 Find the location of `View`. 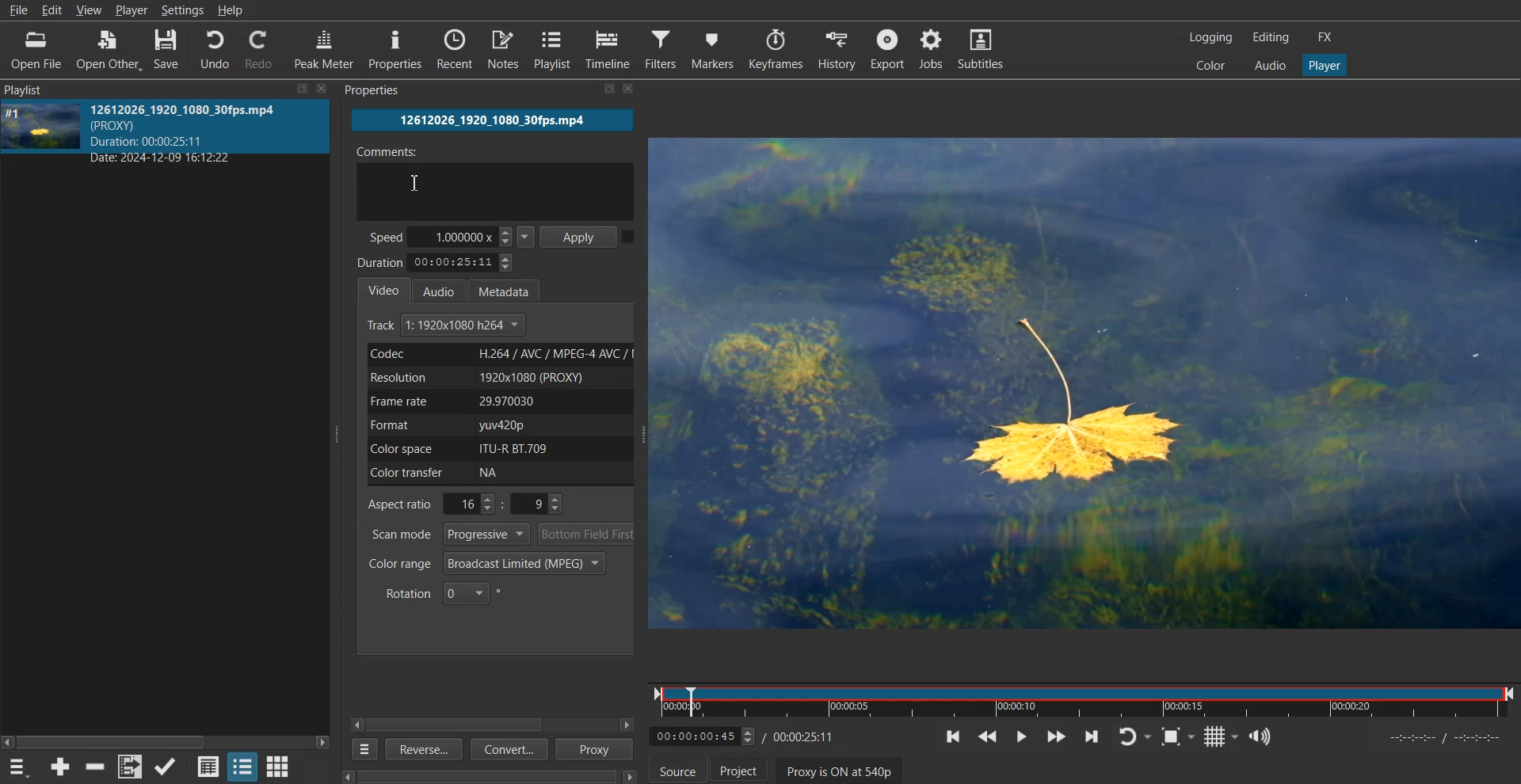

View is located at coordinates (90, 11).